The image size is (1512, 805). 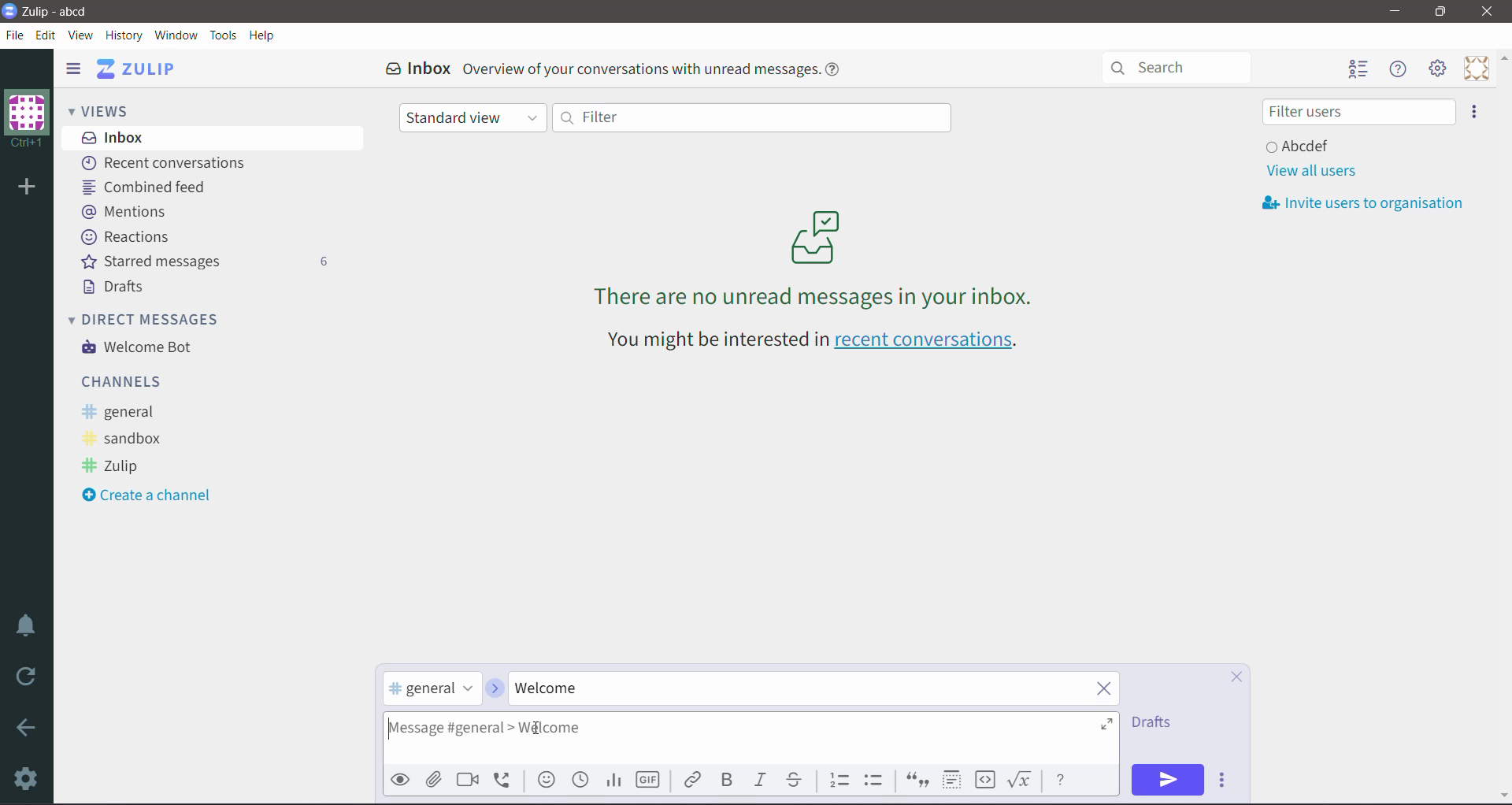 I want to click on Direct Messages, so click(x=154, y=318).